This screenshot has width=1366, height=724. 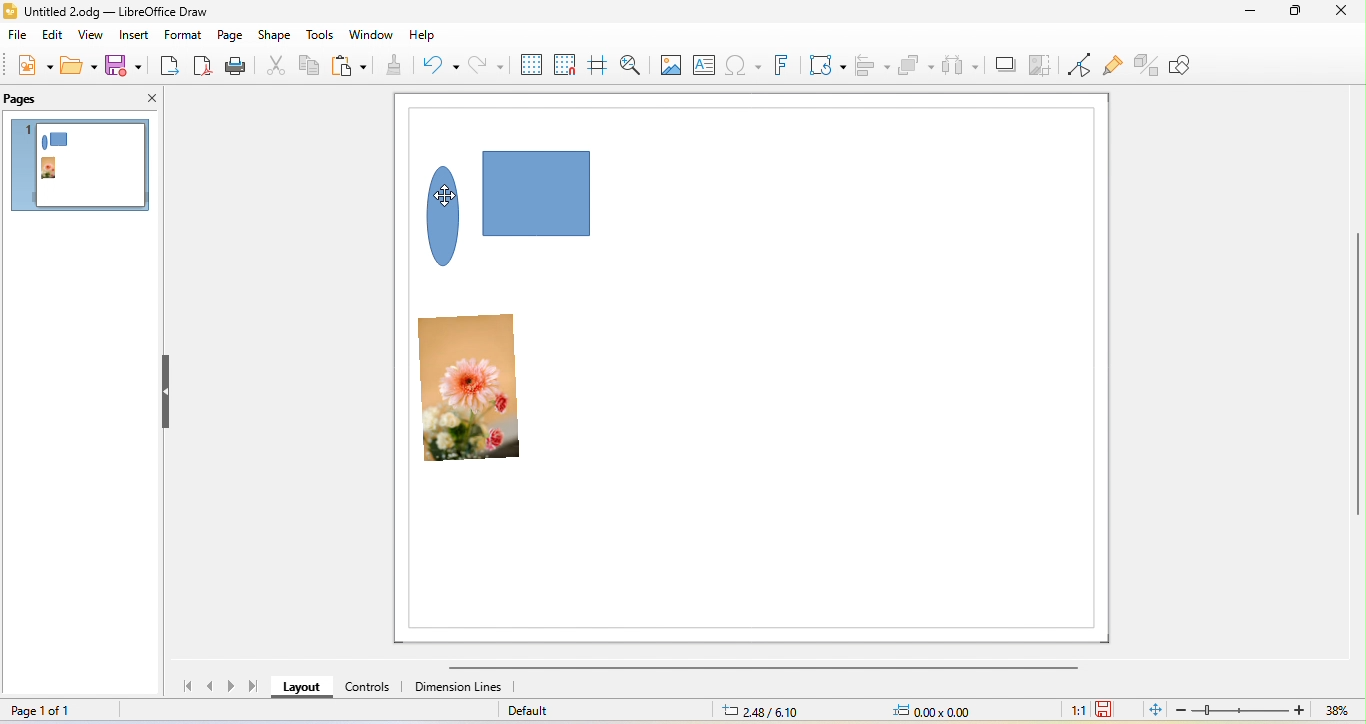 What do you see at coordinates (919, 61) in the screenshot?
I see `arrange` at bounding box center [919, 61].